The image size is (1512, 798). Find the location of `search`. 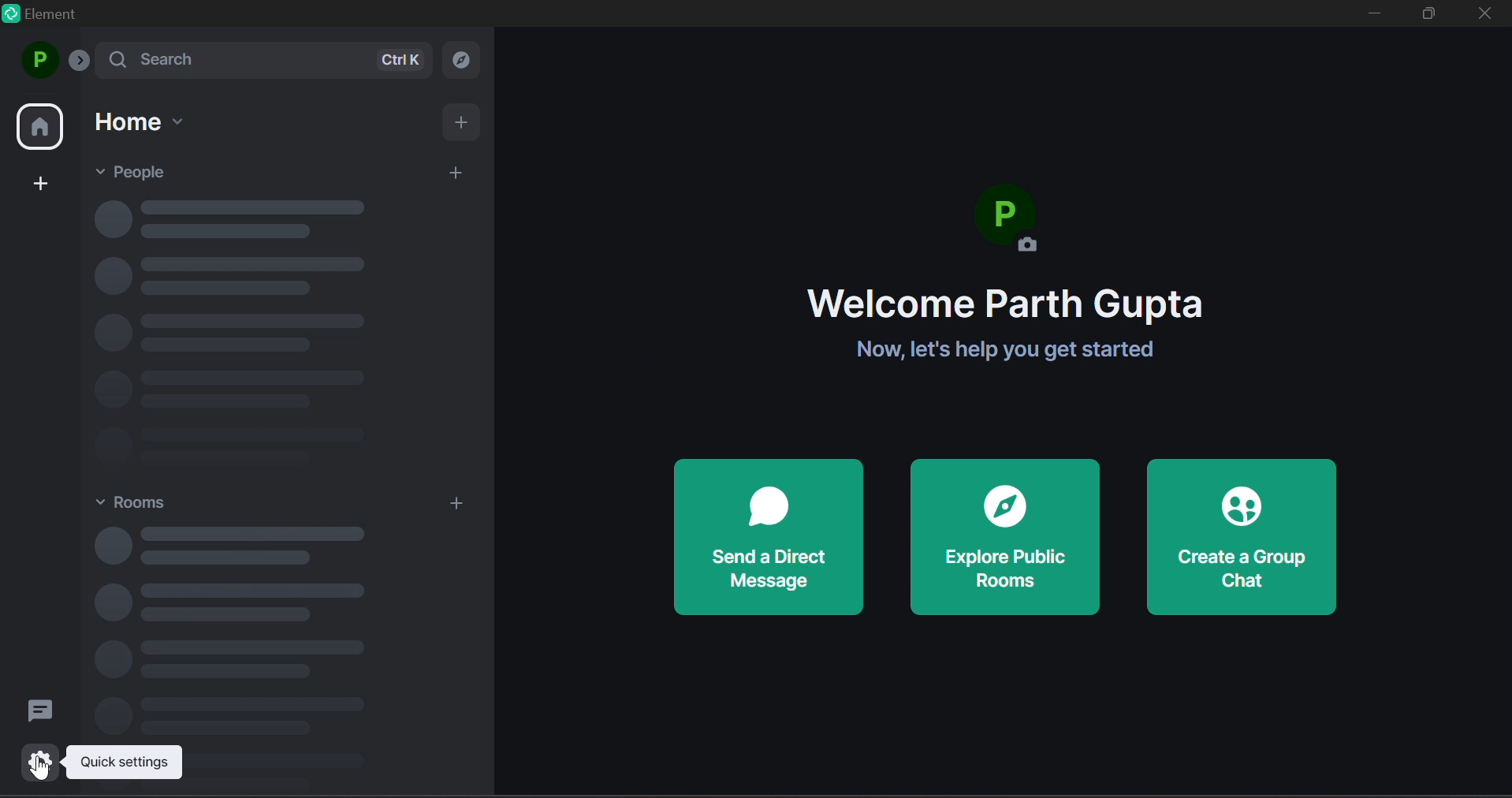

search is located at coordinates (268, 59).